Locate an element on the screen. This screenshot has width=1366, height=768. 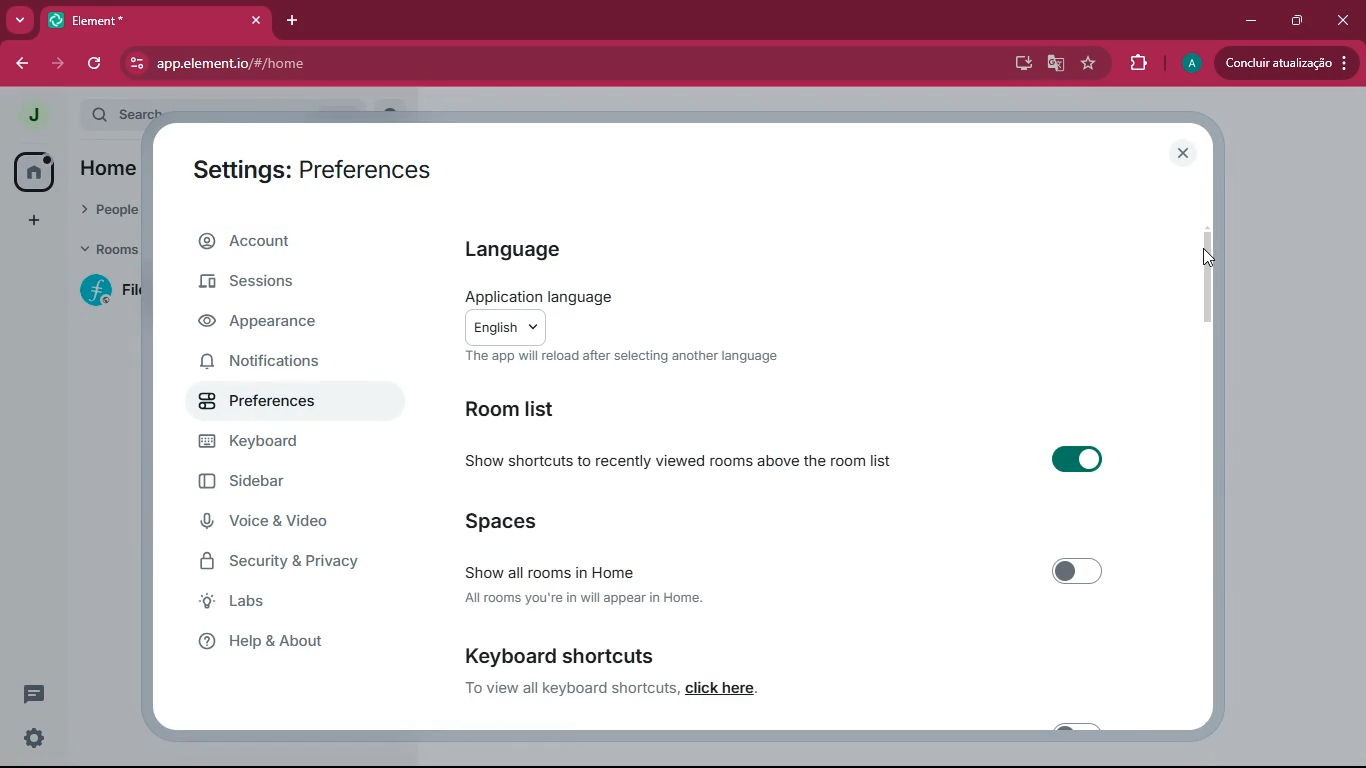
element* is located at coordinates (90, 19).